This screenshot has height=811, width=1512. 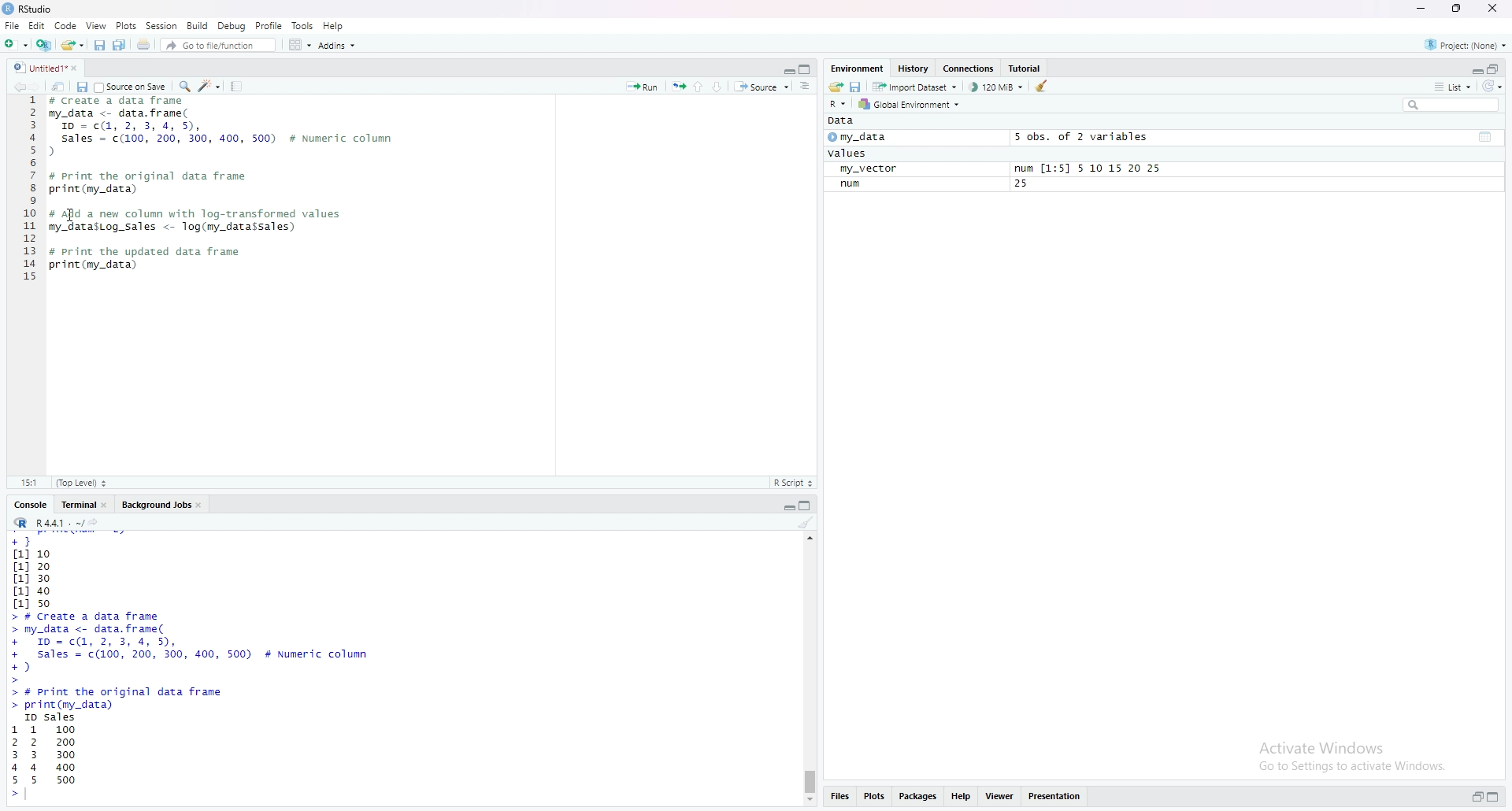 What do you see at coordinates (338, 24) in the screenshot?
I see `Help` at bounding box center [338, 24].